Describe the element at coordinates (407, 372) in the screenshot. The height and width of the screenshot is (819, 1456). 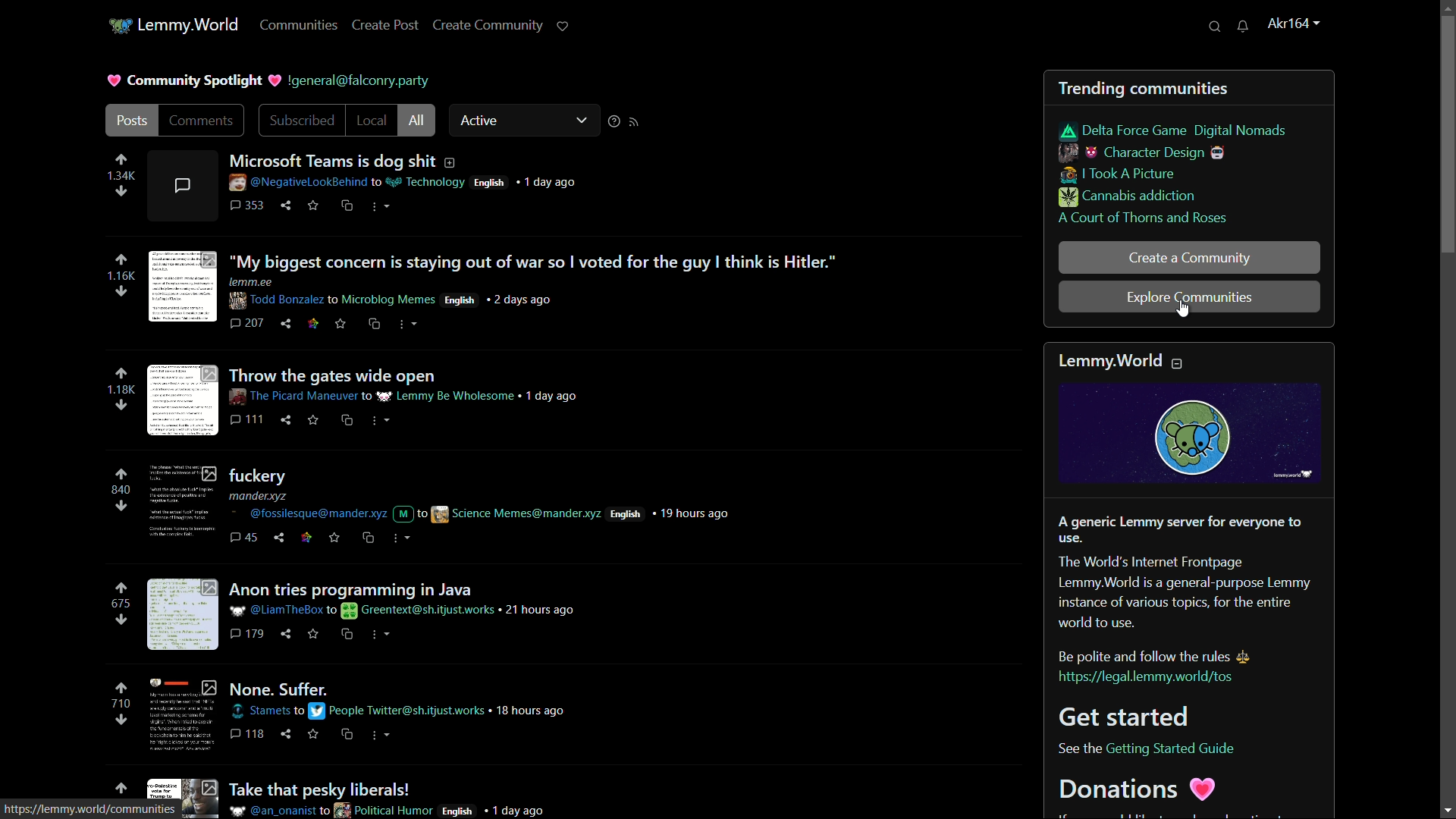
I see `post-3` at that location.